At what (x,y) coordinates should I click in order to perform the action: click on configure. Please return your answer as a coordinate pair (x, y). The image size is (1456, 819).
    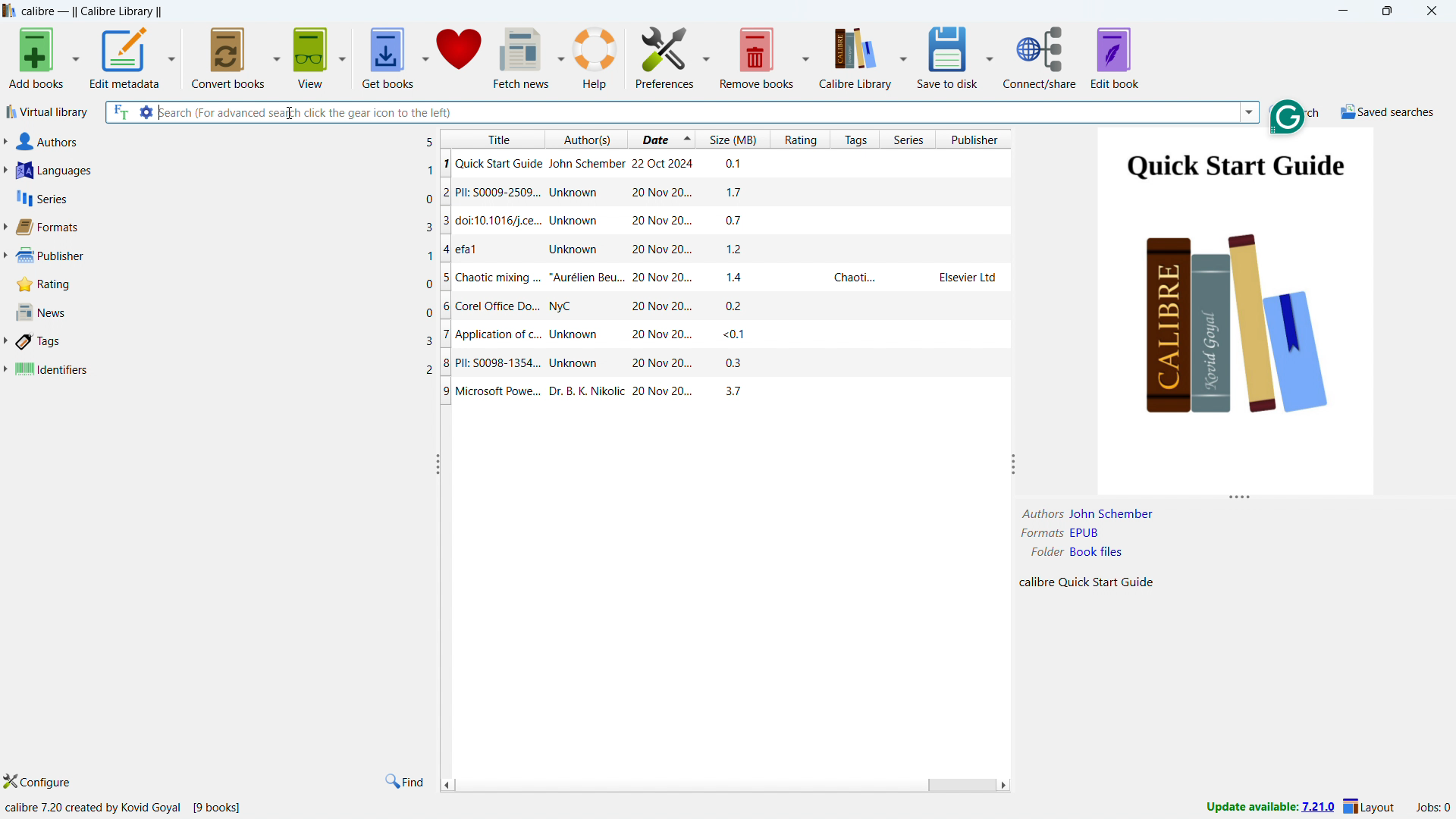
    Looking at the image, I should click on (39, 782).